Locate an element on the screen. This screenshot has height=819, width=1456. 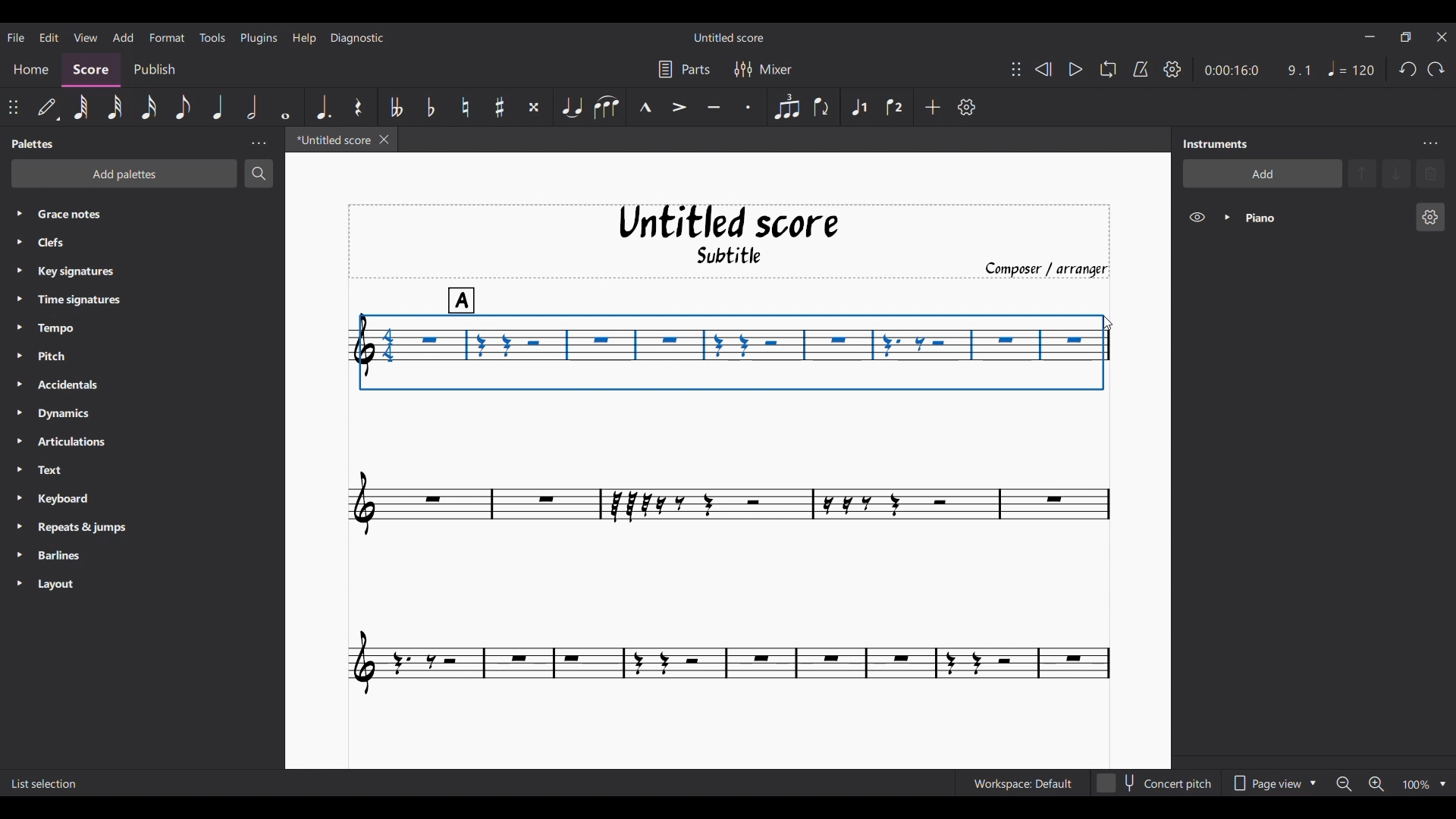
Close interface is located at coordinates (1442, 37).